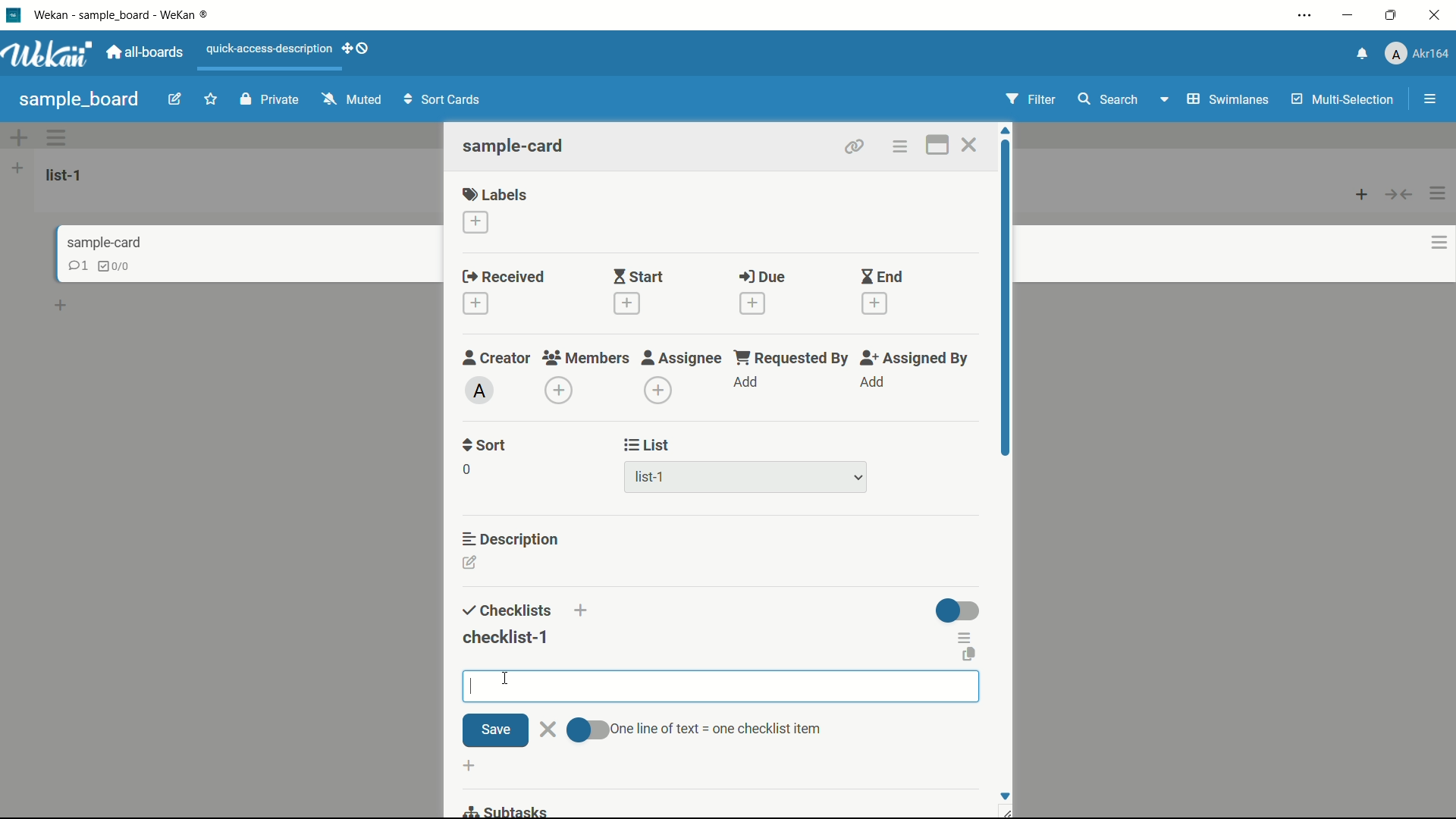  I want to click on button, so click(1403, 193).